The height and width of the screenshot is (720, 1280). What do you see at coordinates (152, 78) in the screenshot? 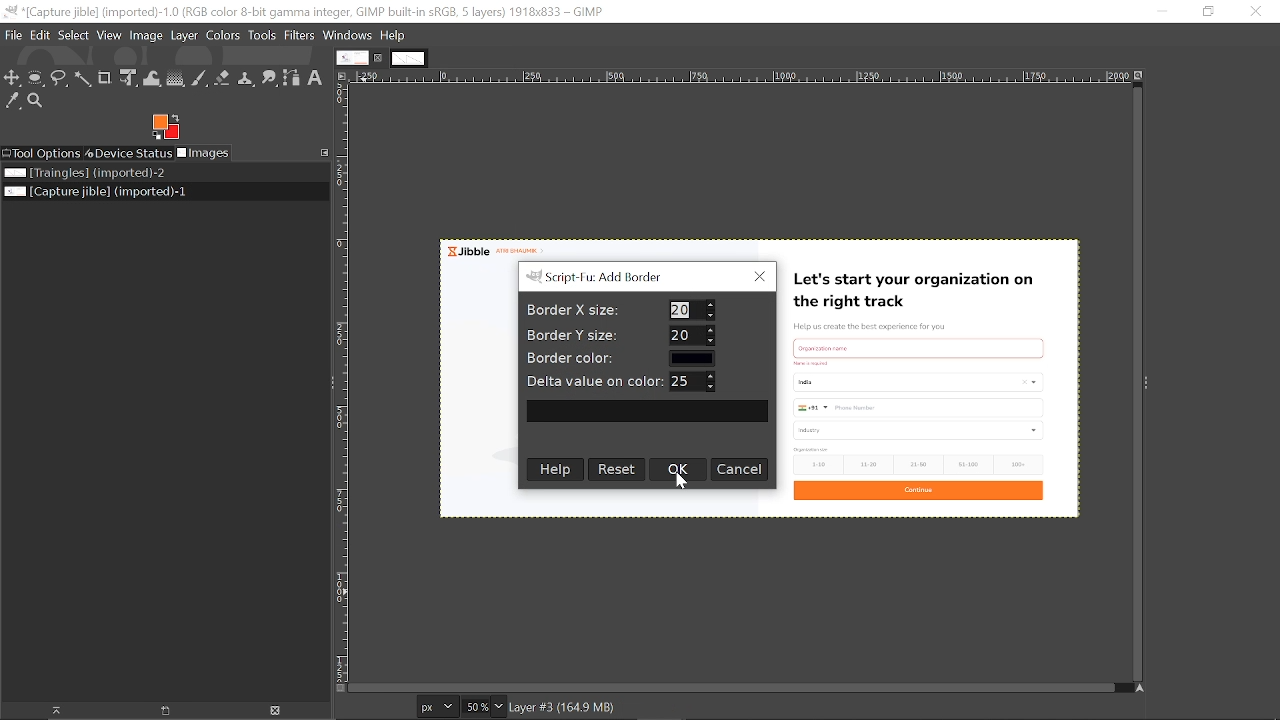
I see `Wrap text tool` at bounding box center [152, 78].